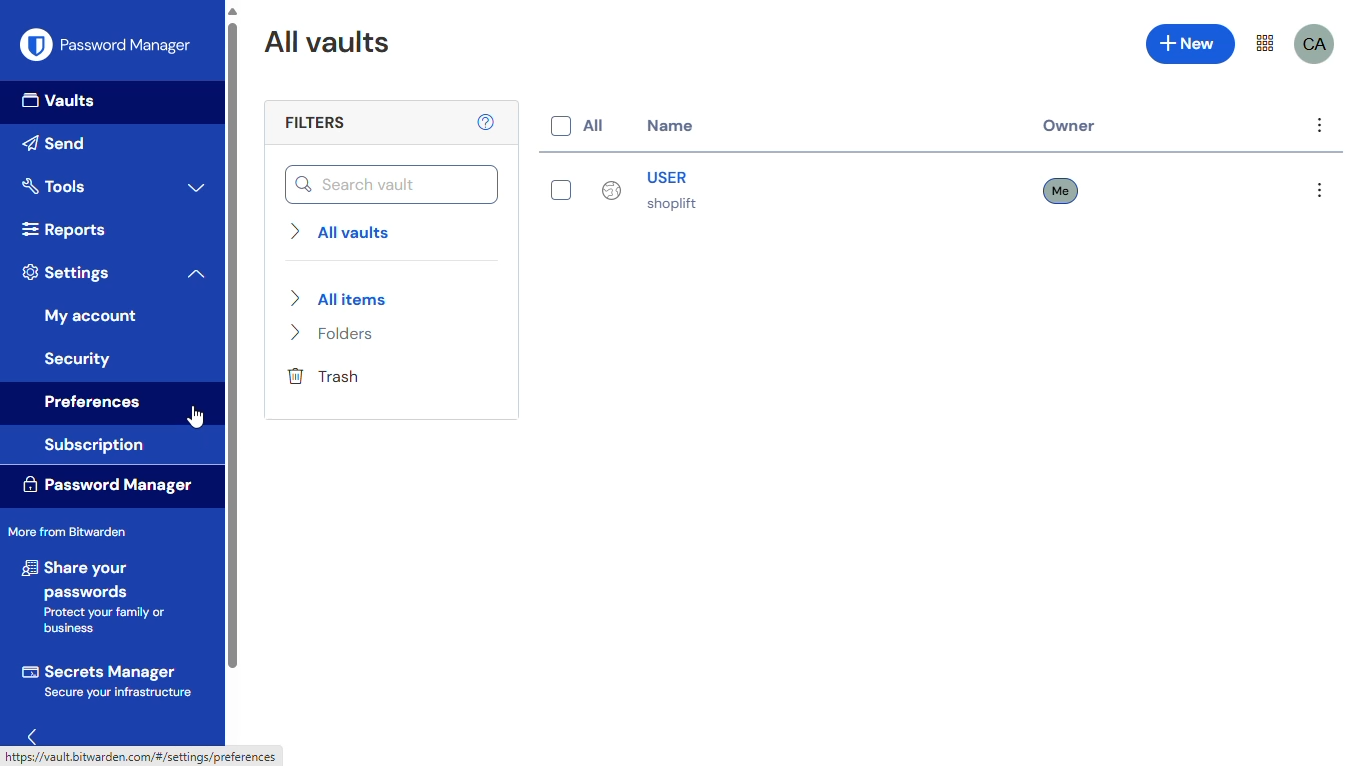  I want to click on tools, so click(54, 185).